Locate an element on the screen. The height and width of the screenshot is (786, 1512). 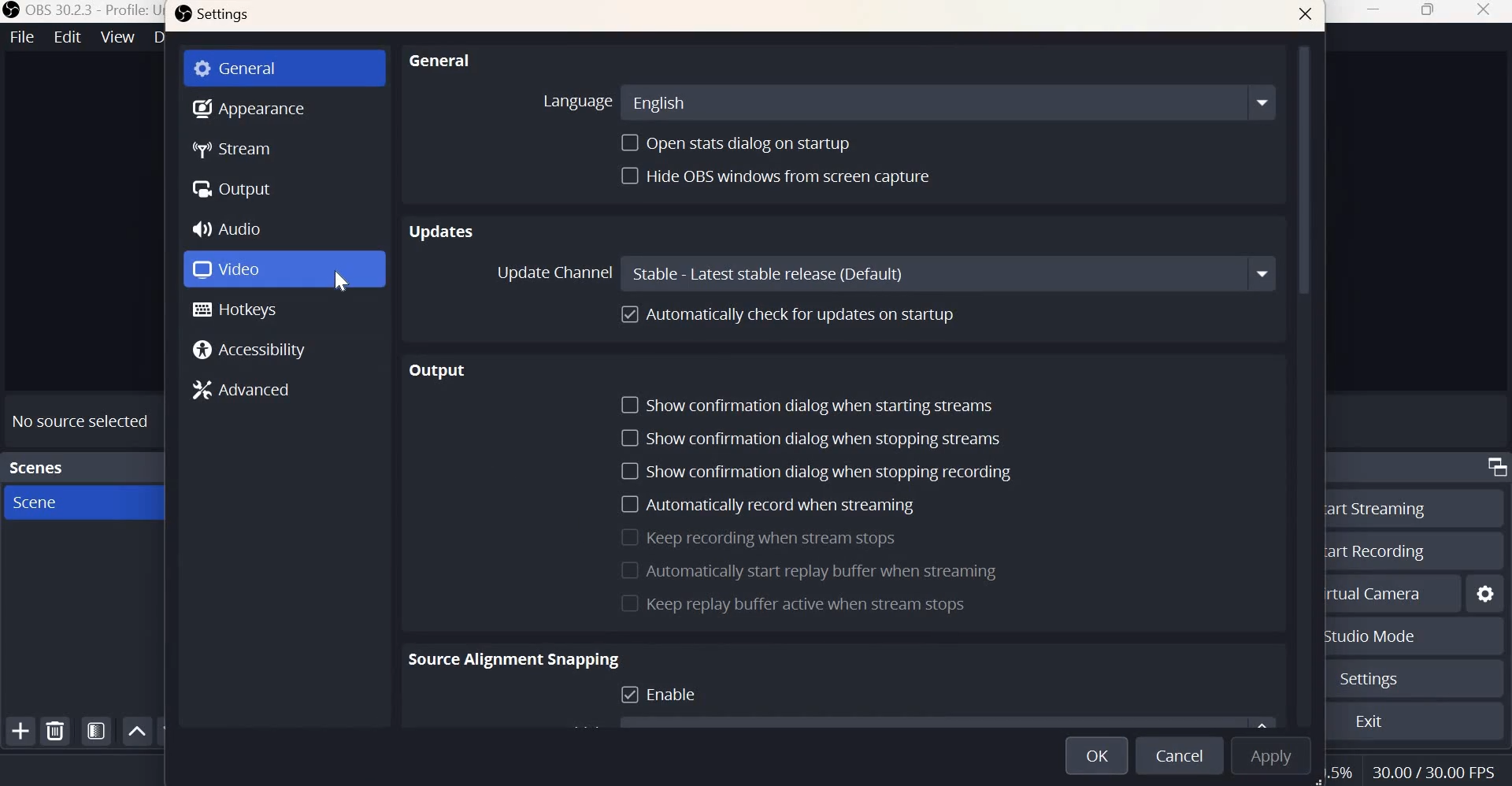
Appearance is located at coordinates (249, 106).